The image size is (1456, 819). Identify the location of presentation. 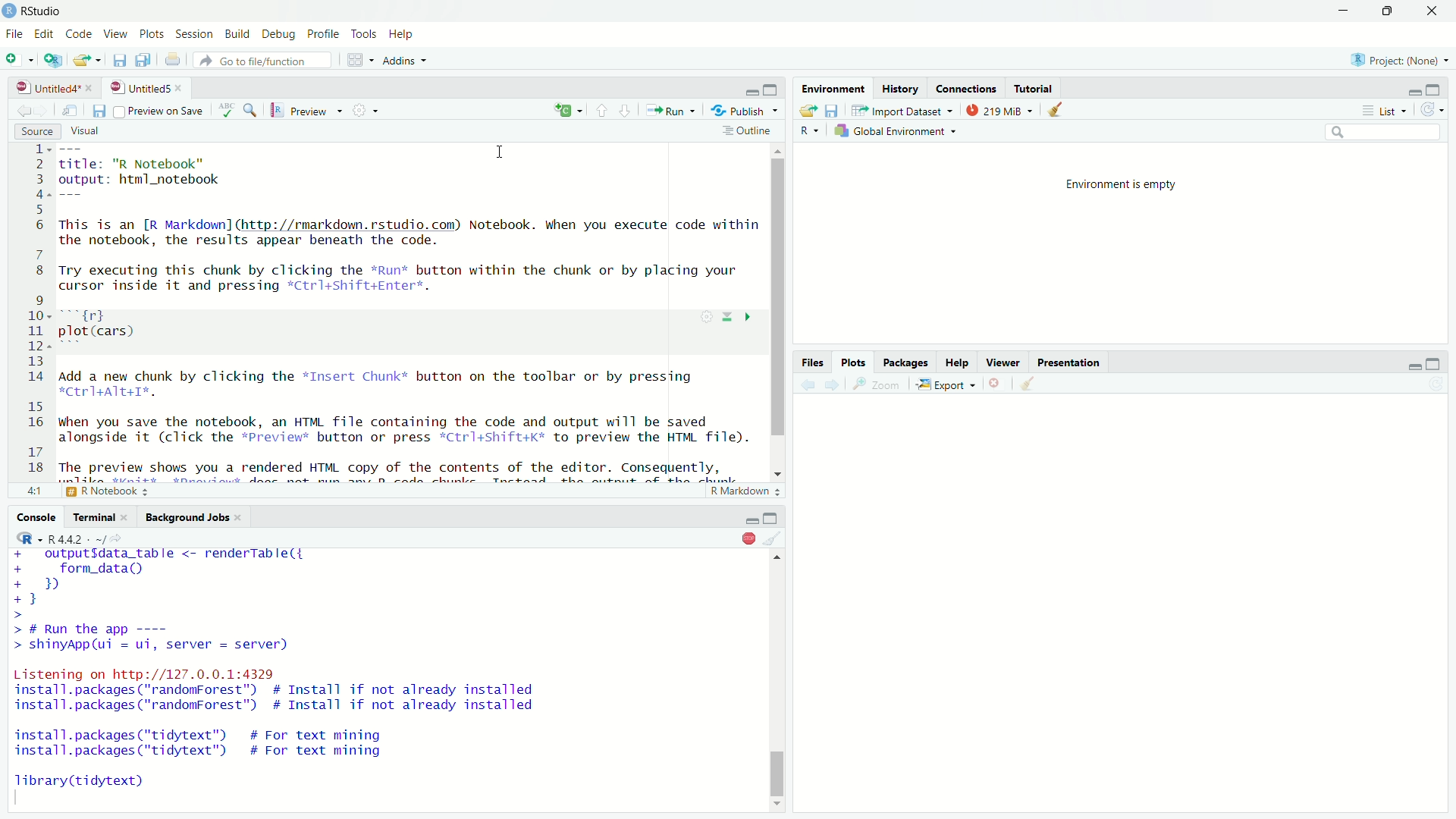
(1070, 362).